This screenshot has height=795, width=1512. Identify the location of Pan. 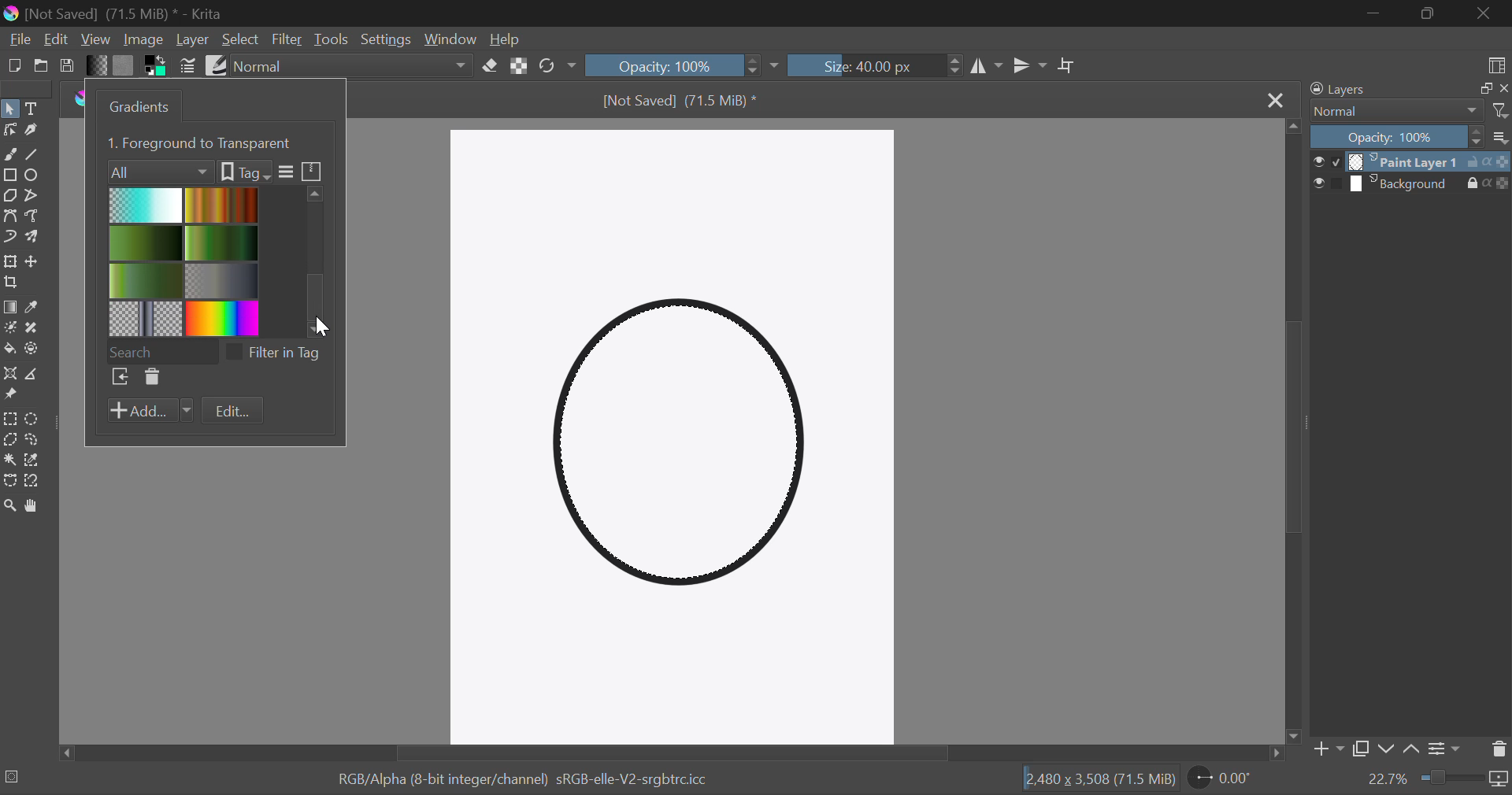
(35, 507).